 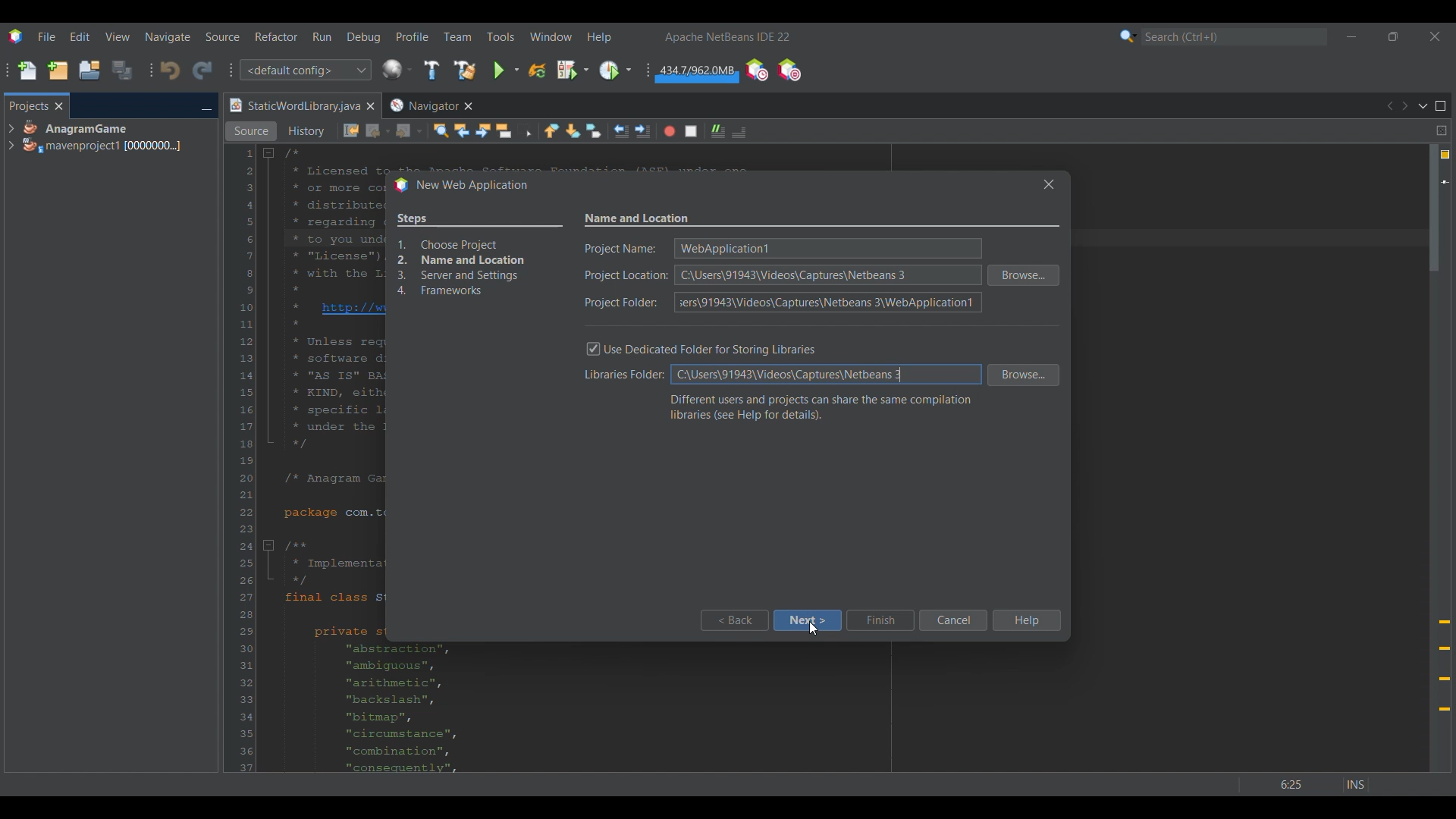 What do you see at coordinates (733, 620) in the screenshot?
I see `Back` at bounding box center [733, 620].